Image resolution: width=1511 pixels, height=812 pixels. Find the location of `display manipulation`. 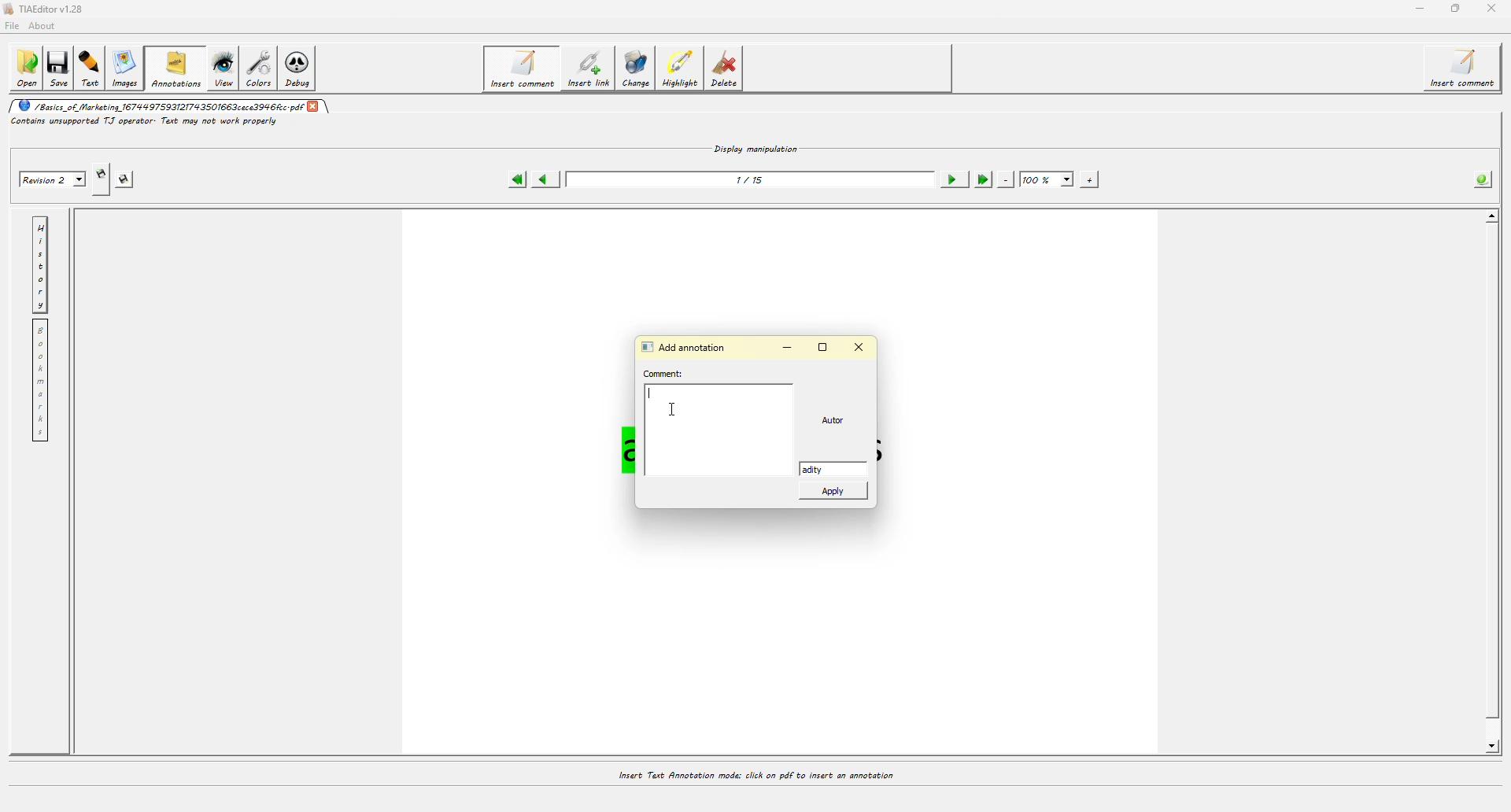

display manipulation is located at coordinates (756, 147).